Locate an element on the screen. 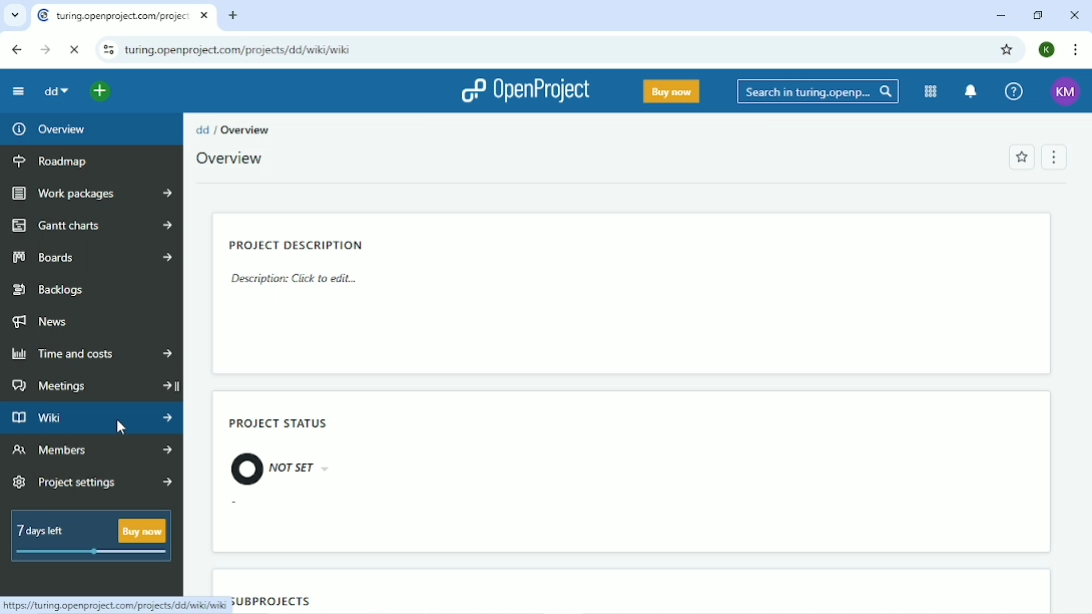  Restore down is located at coordinates (1036, 14).